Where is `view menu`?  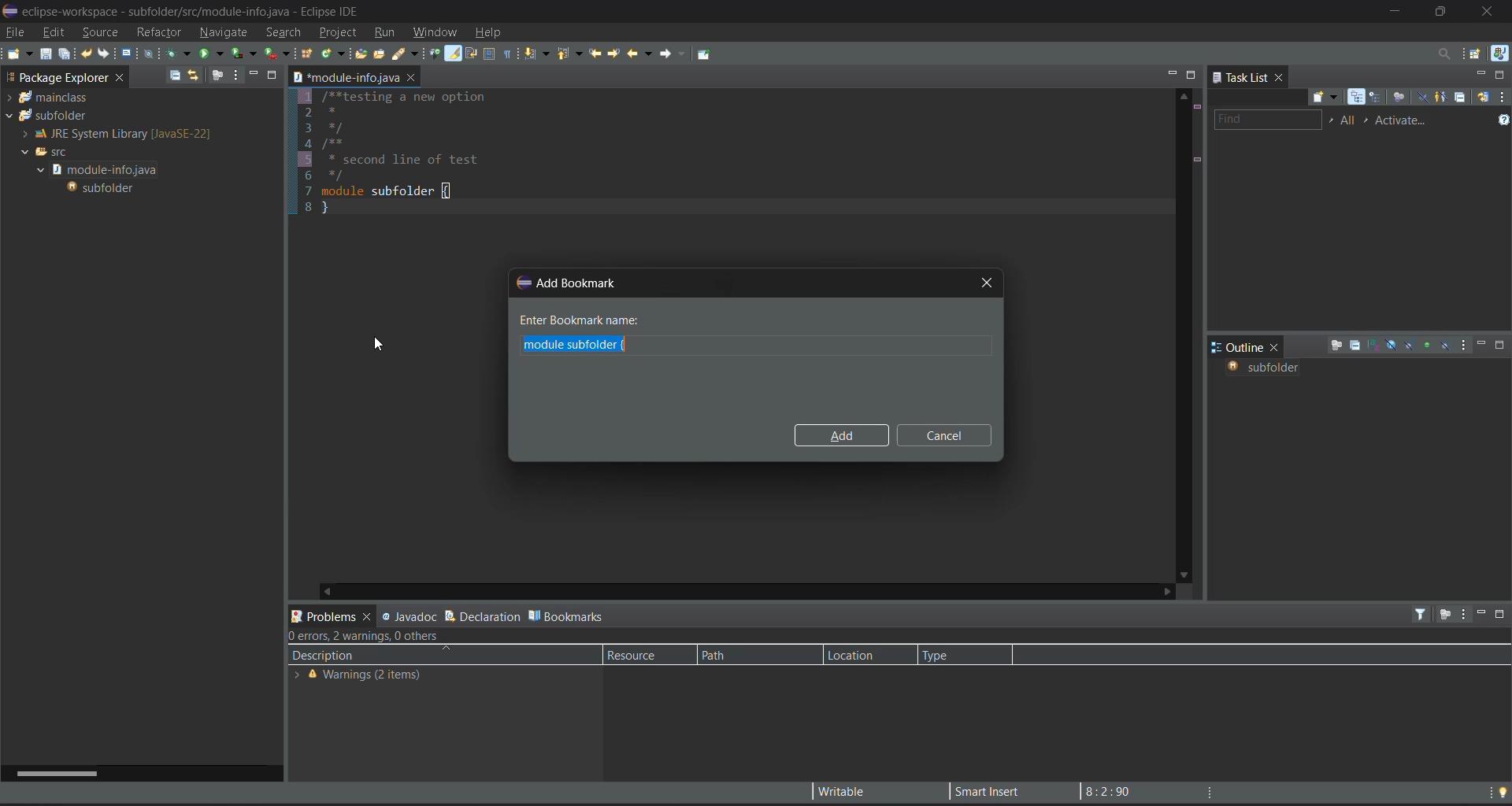 view menu is located at coordinates (235, 74).